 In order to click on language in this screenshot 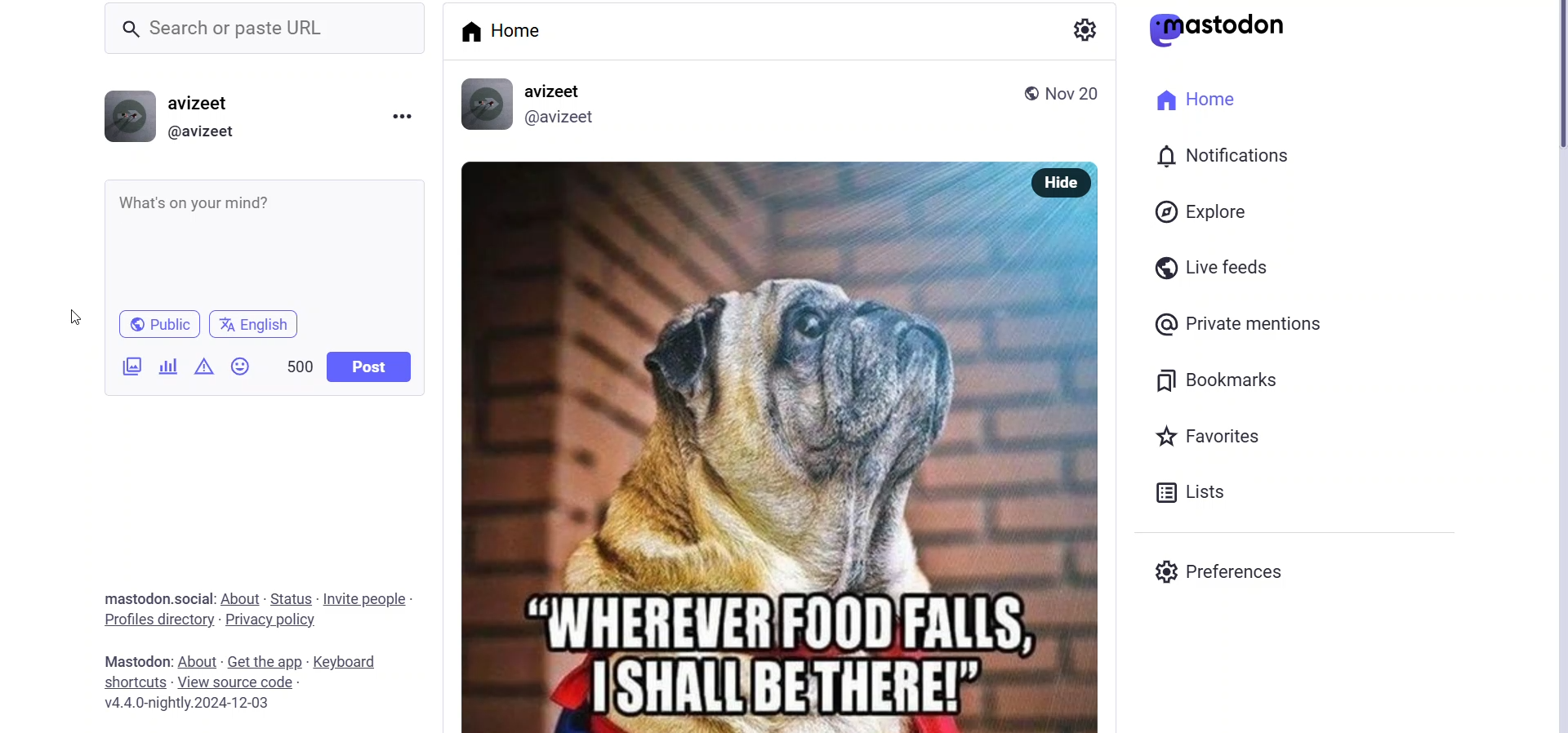, I will do `click(259, 323)`.